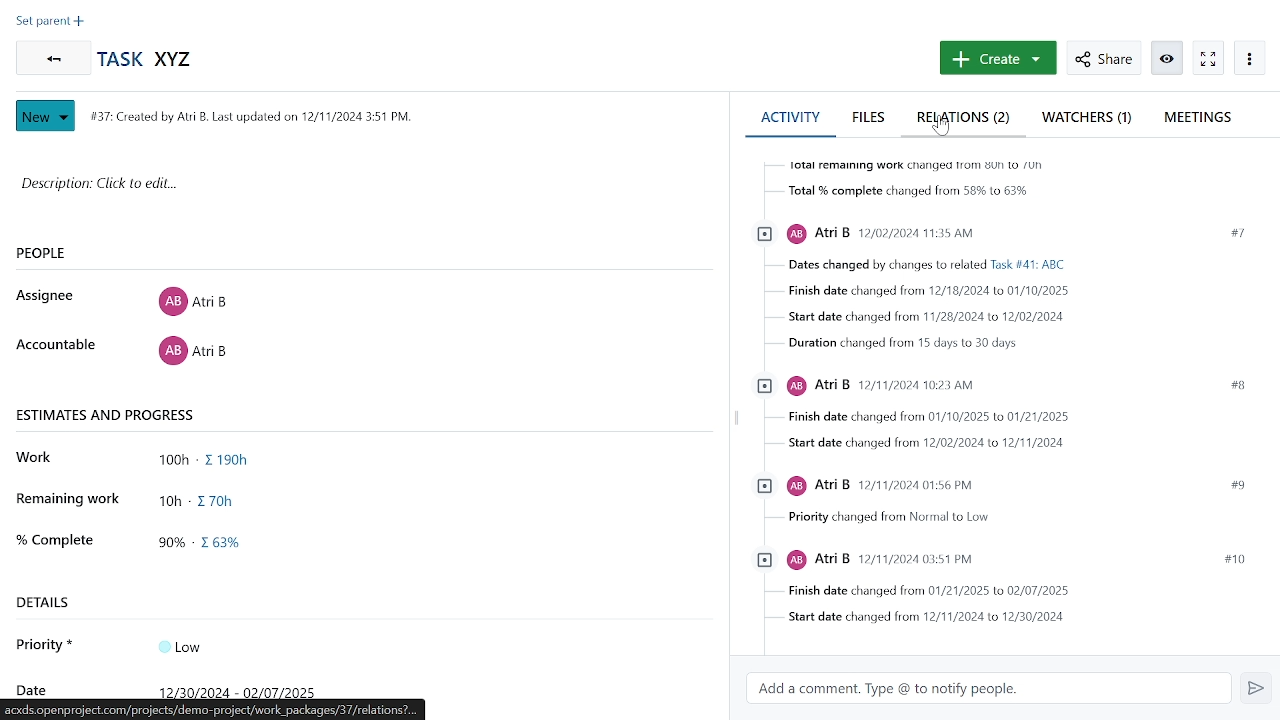 The width and height of the screenshot is (1280, 720). I want to click on finish date changed from 01/10/2025 to 01/21/2025, so click(918, 417).